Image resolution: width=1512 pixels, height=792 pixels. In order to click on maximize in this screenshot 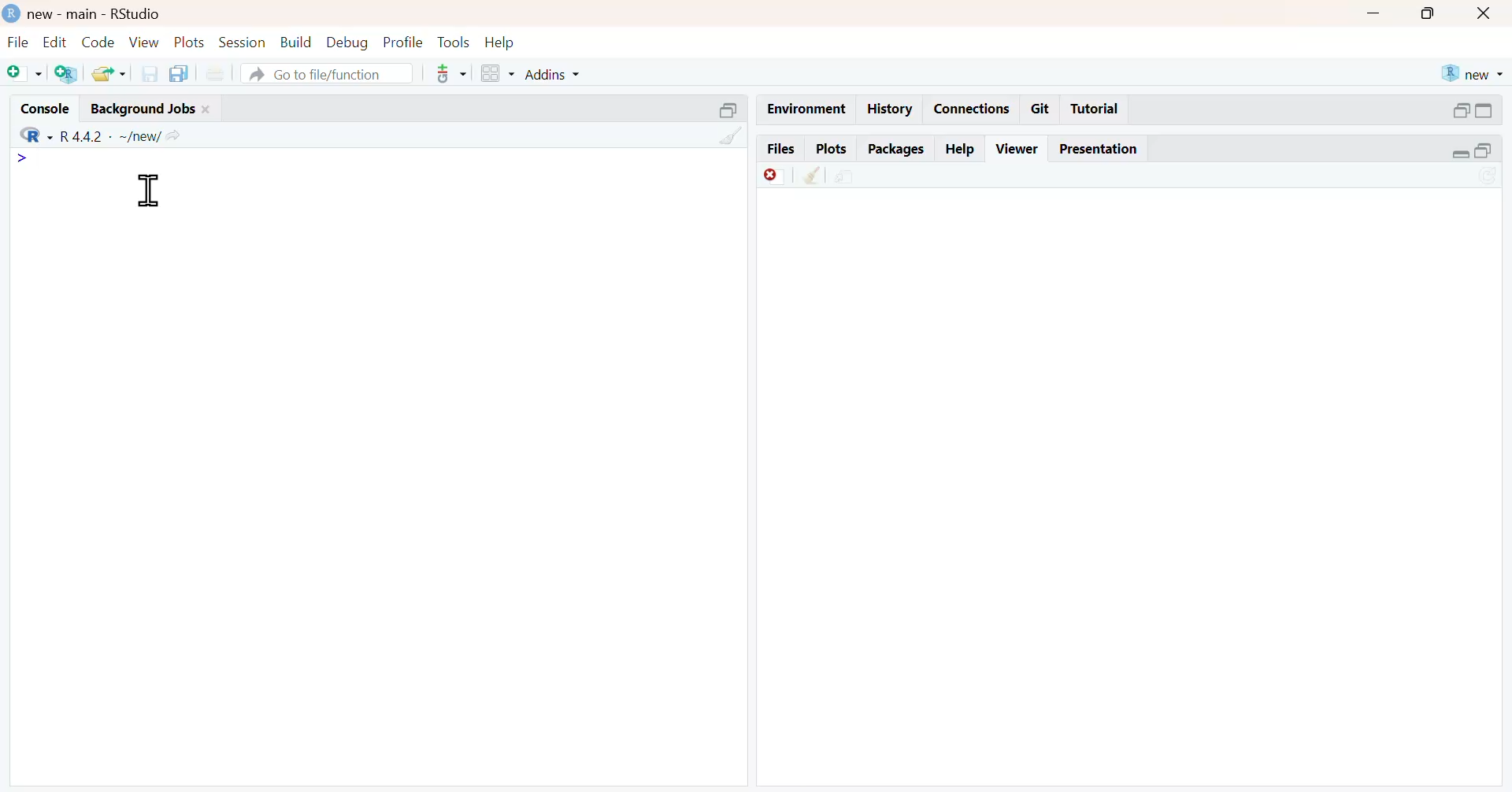, I will do `click(1432, 12)`.